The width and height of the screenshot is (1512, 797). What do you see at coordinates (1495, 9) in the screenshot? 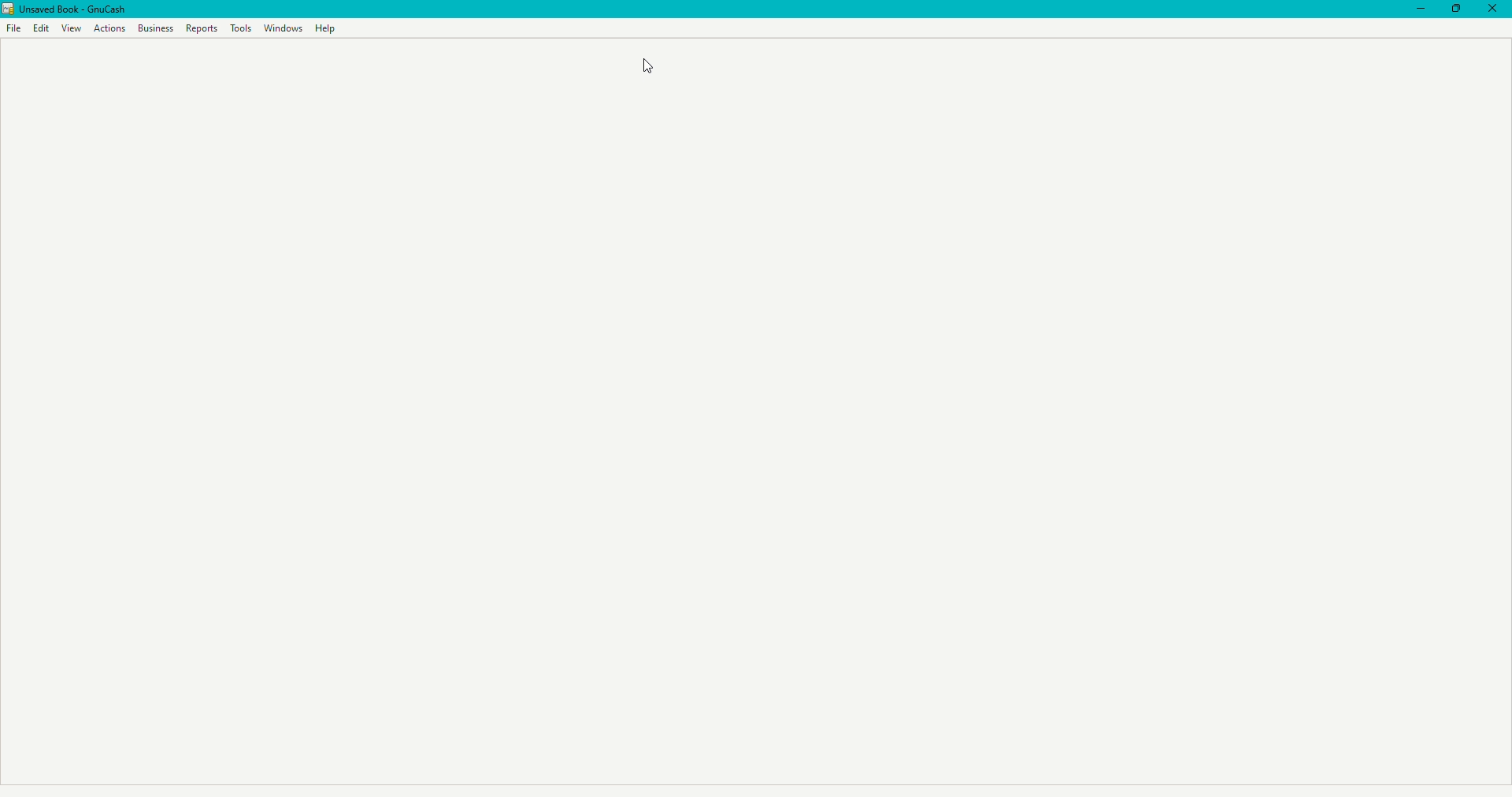
I see `Close` at bounding box center [1495, 9].